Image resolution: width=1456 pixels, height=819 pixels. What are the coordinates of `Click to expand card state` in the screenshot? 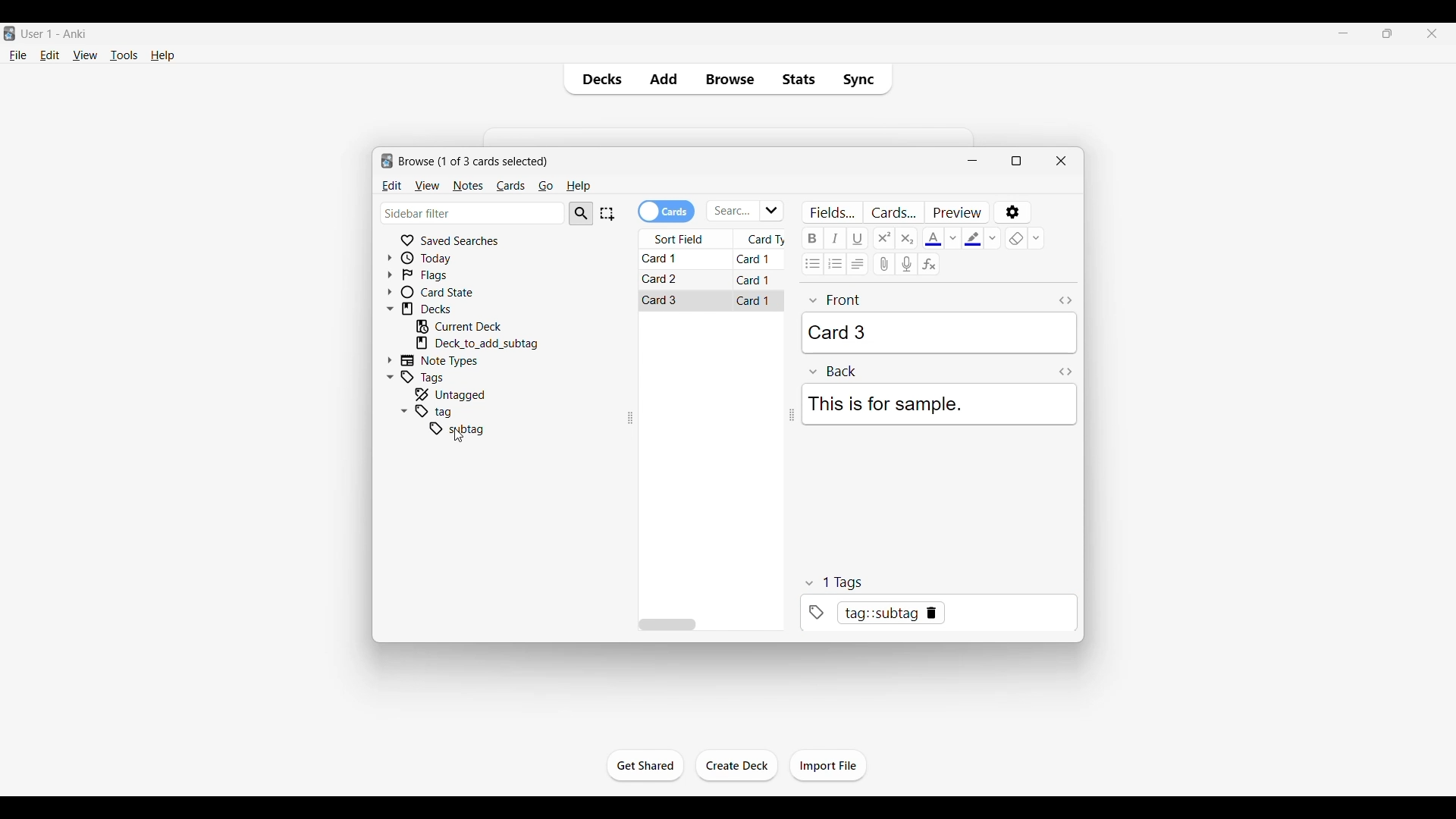 It's located at (390, 292).